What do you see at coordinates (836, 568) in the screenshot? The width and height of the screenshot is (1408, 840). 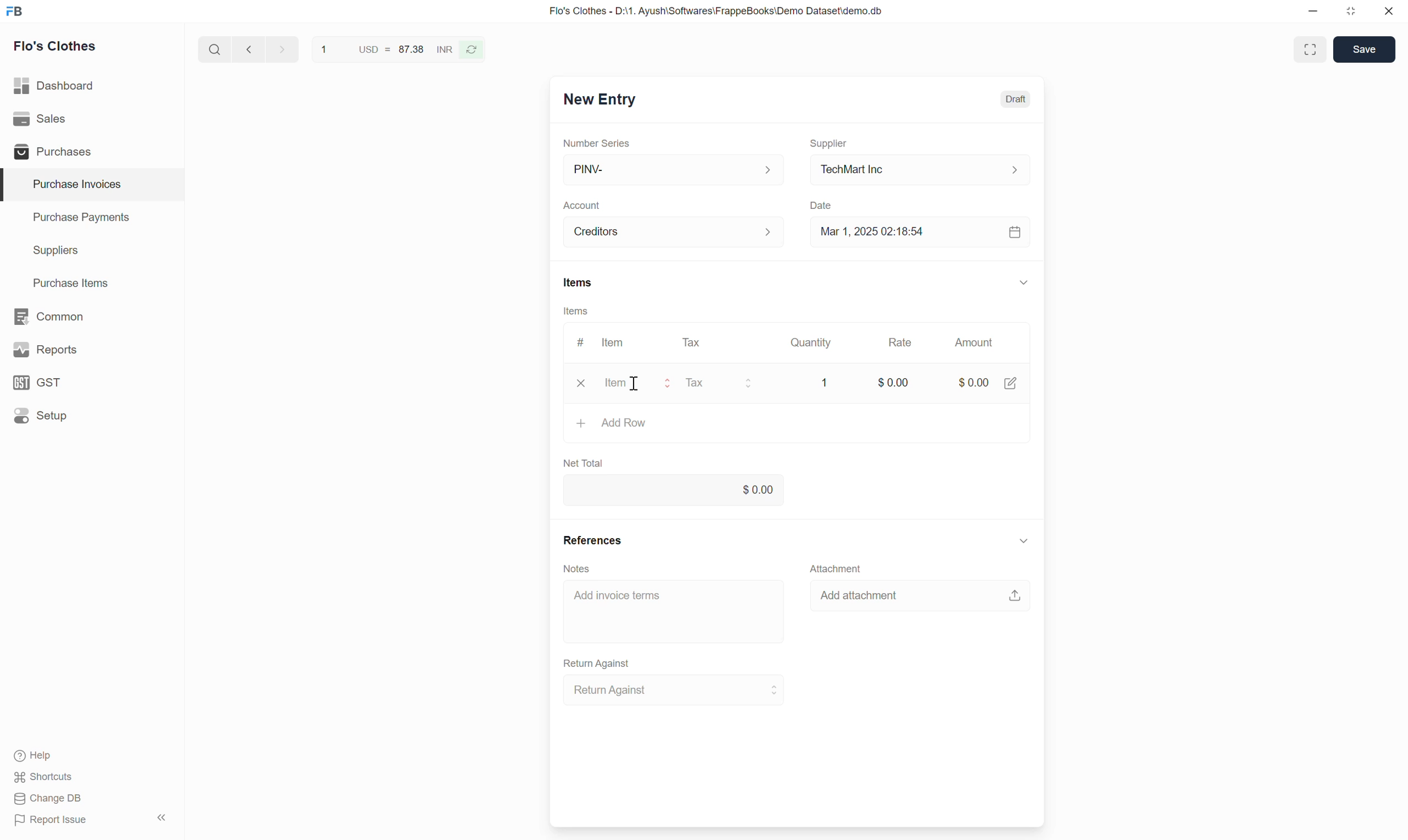 I see `Attachment` at bounding box center [836, 568].